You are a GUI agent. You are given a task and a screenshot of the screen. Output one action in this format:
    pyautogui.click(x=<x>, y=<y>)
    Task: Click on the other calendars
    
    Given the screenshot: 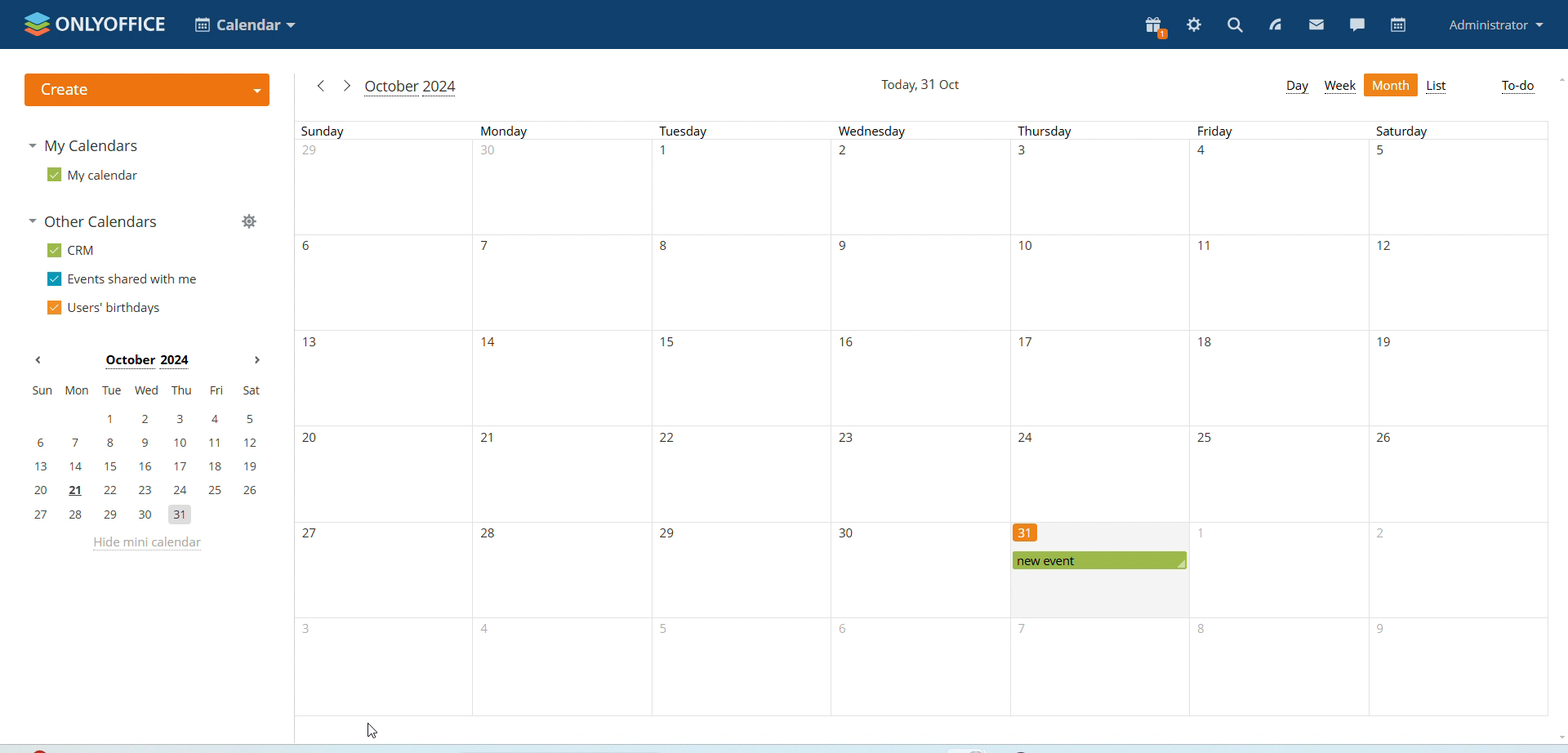 What is the action you would take?
    pyautogui.click(x=98, y=221)
    